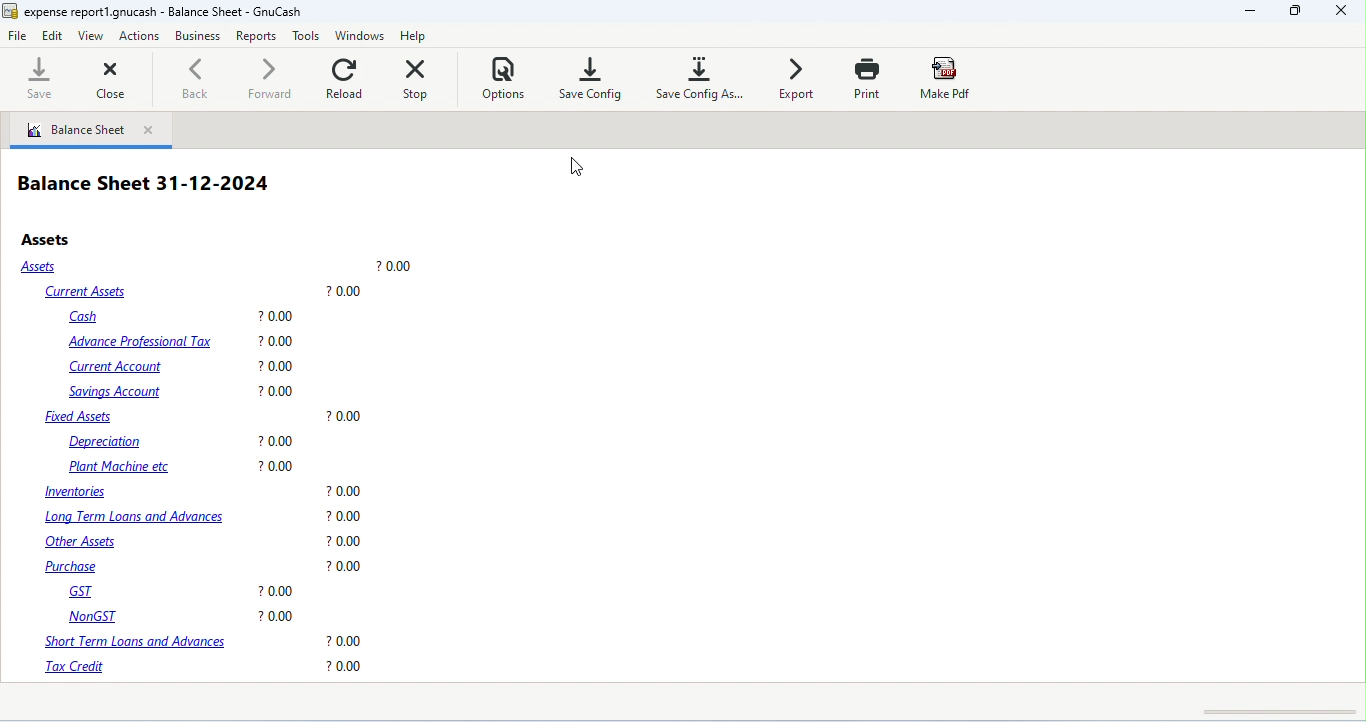 The width and height of the screenshot is (1366, 722). I want to click on tool, so click(306, 36).